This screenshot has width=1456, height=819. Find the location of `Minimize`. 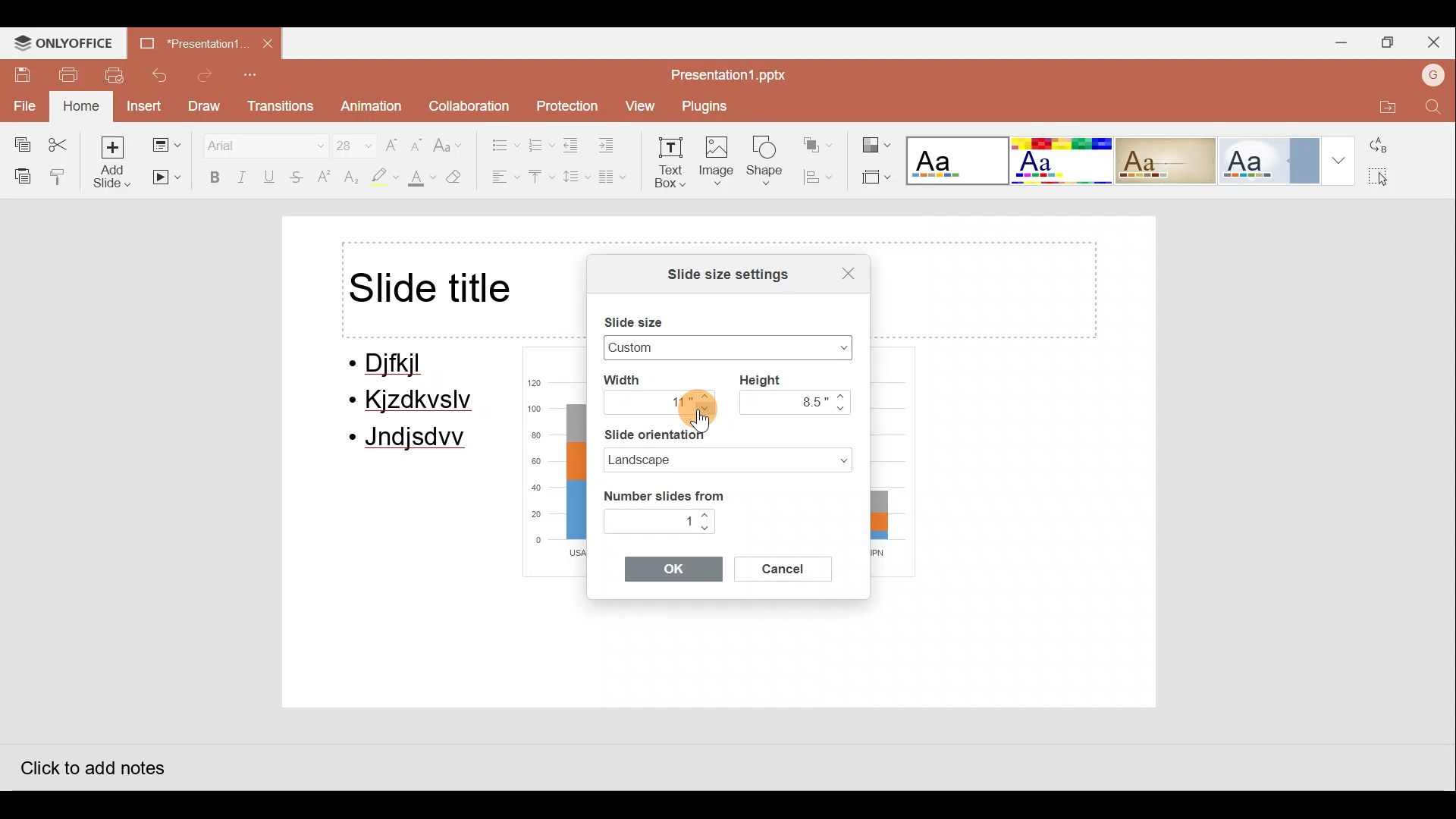

Minimize is located at coordinates (1334, 44).